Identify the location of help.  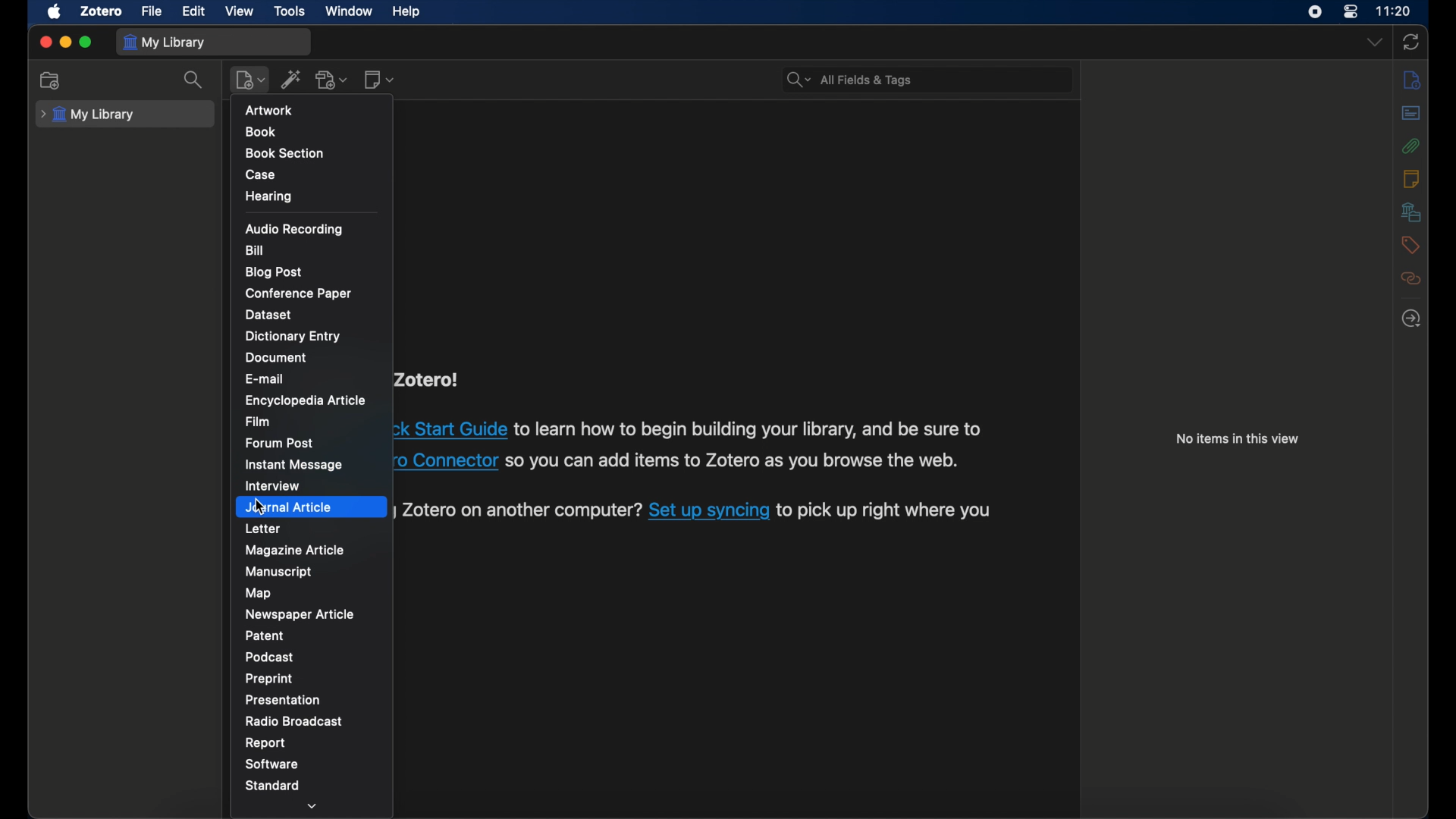
(406, 12).